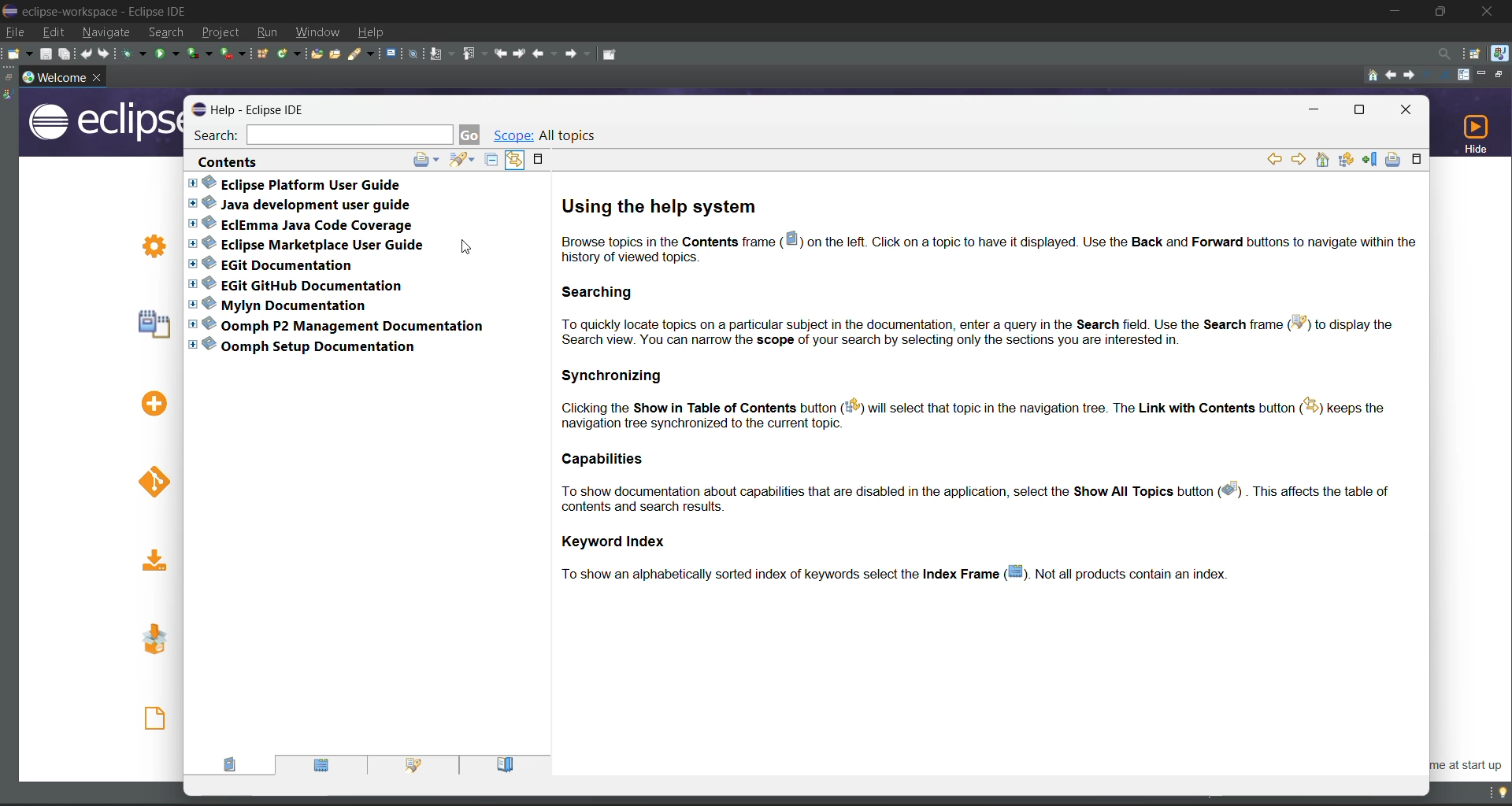 This screenshot has height=806, width=1512. What do you see at coordinates (302, 347) in the screenshot?
I see `Oomph setup documentation` at bounding box center [302, 347].